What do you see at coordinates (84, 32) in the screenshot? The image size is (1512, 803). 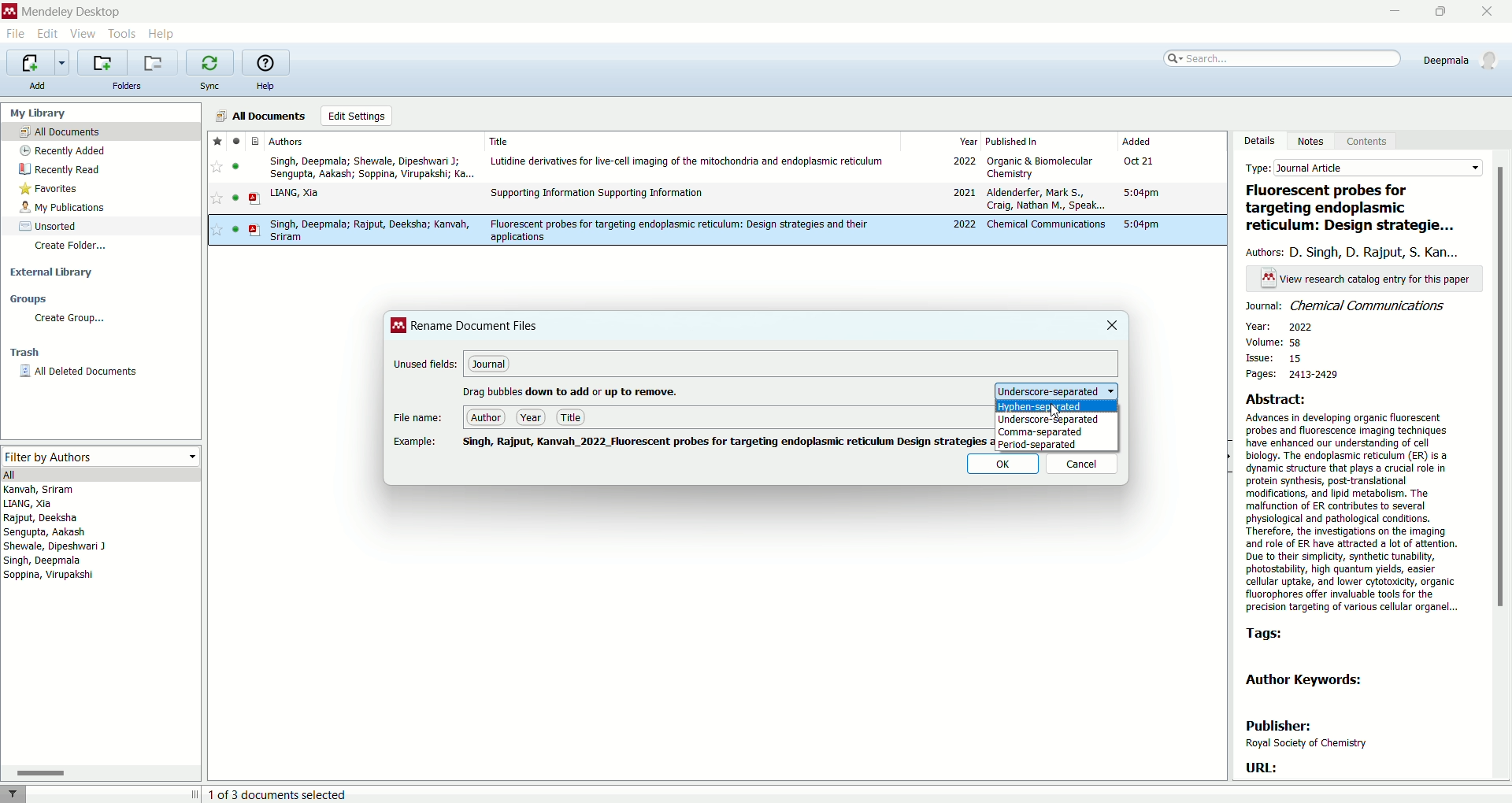 I see `view` at bounding box center [84, 32].